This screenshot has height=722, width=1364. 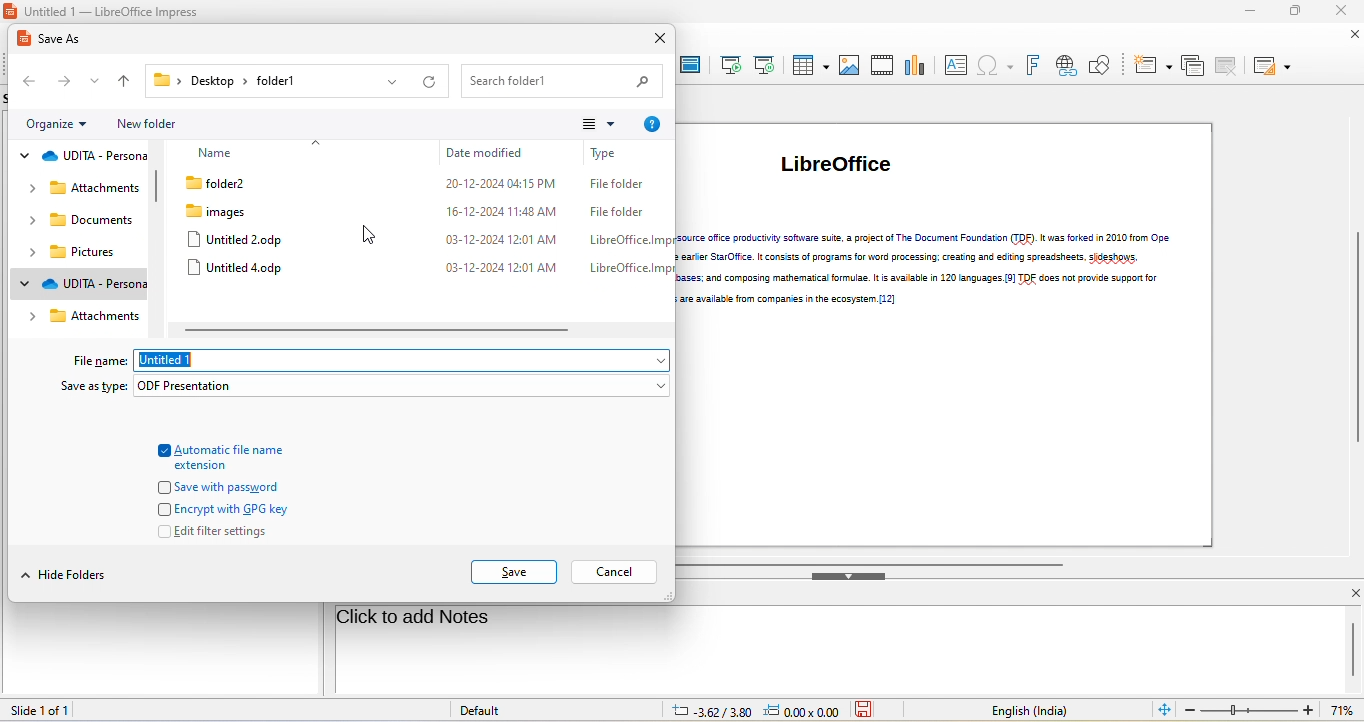 I want to click on Us-l12-2024 1201 AM, so click(x=495, y=240).